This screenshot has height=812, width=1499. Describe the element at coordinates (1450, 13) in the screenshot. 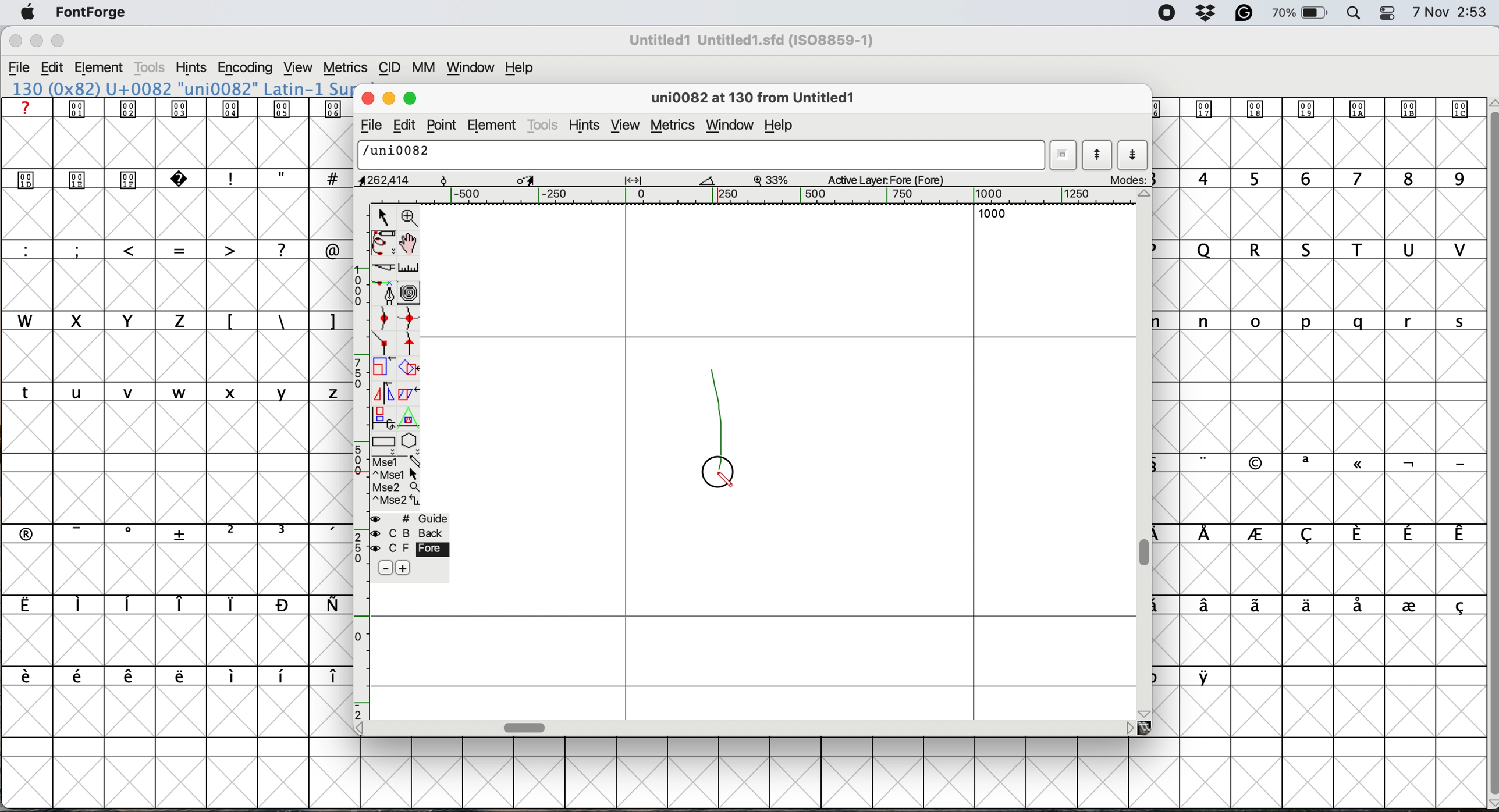

I see `date and time` at that location.